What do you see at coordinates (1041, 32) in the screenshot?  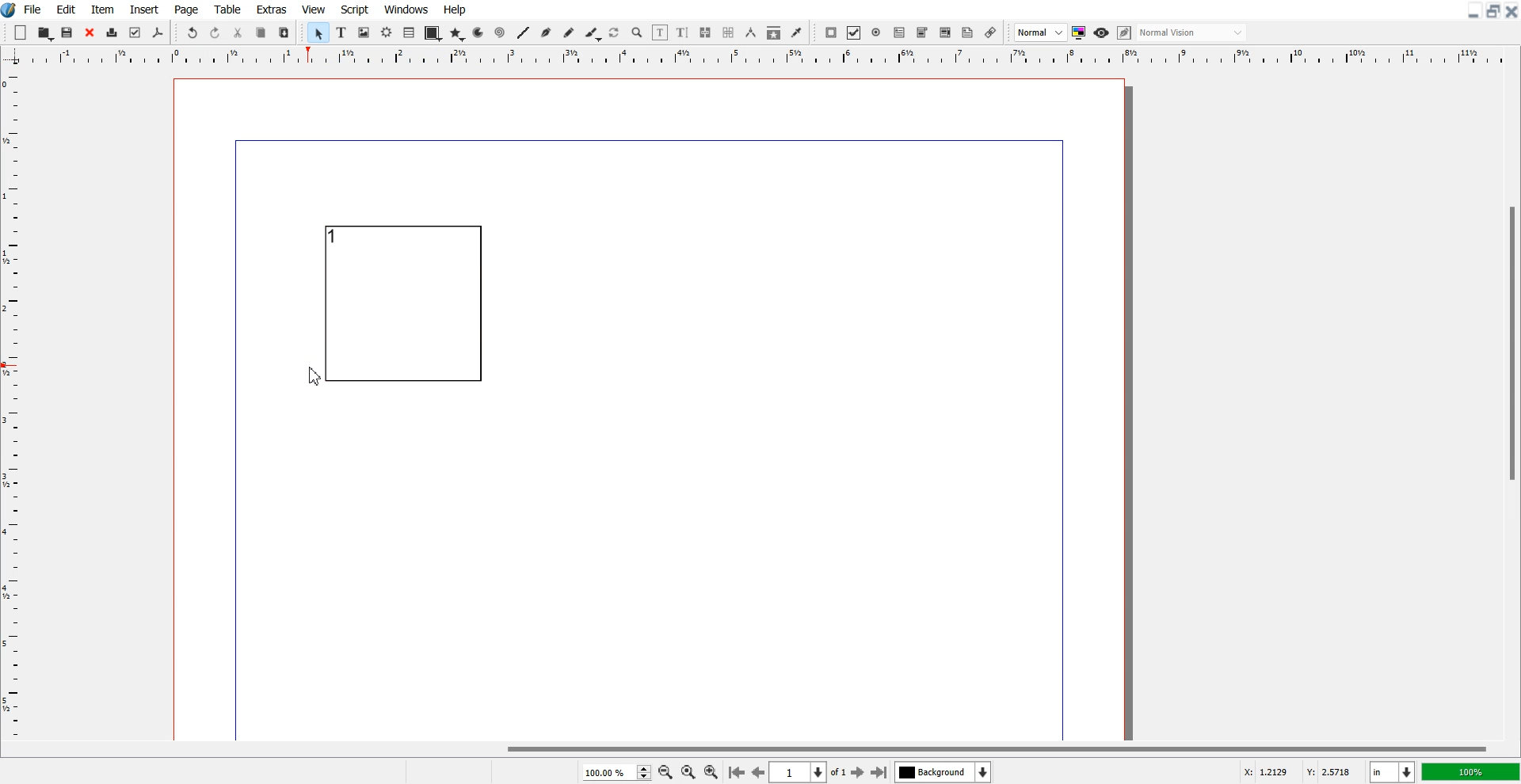 I see `Select Image Preview quality` at bounding box center [1041, 32].